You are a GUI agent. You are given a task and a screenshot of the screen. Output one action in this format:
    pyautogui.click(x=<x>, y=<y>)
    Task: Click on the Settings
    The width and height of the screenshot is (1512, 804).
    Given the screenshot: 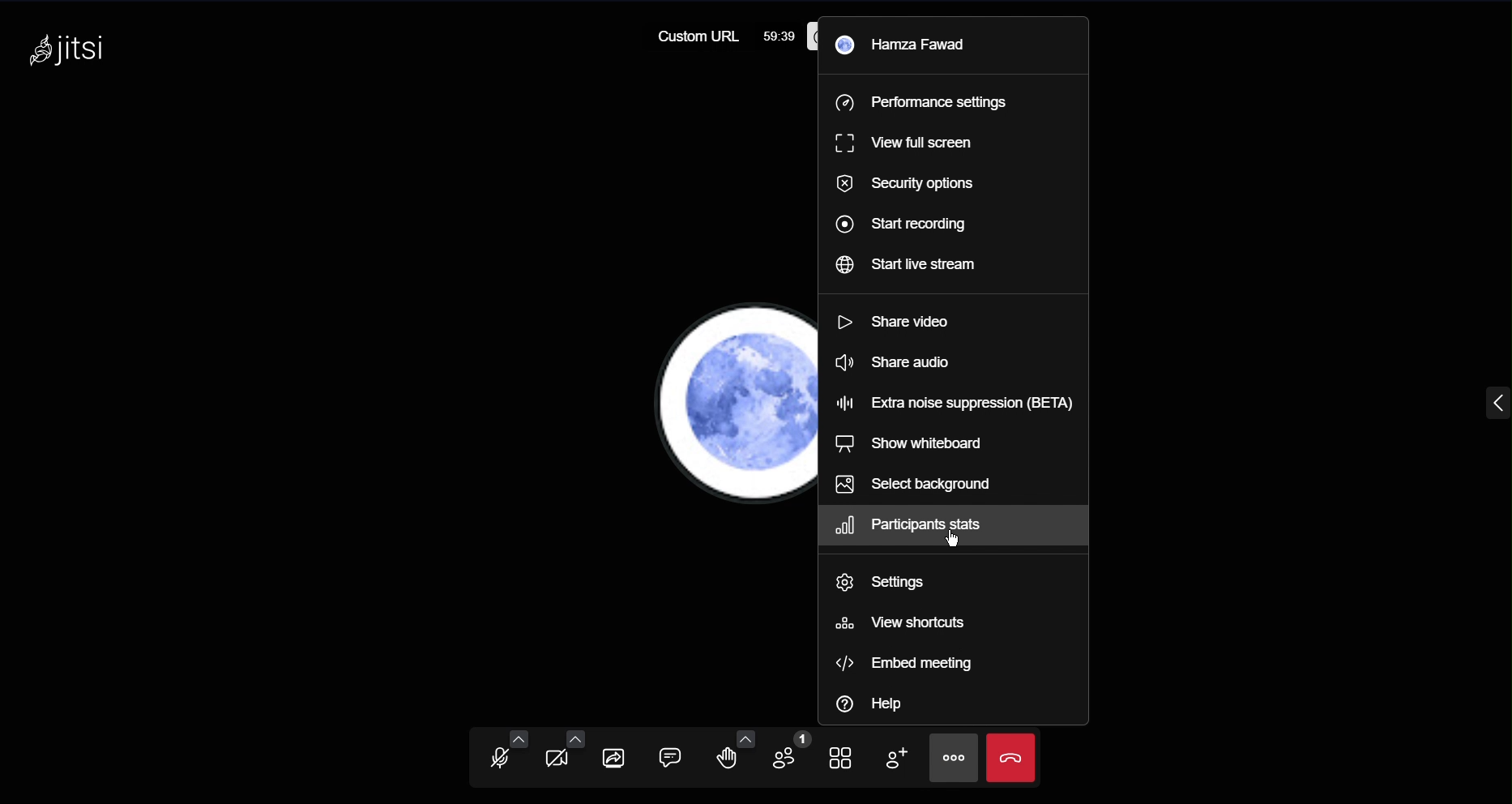 What is the action you would take?
    pyautogui.click(x=881, y=583)
    